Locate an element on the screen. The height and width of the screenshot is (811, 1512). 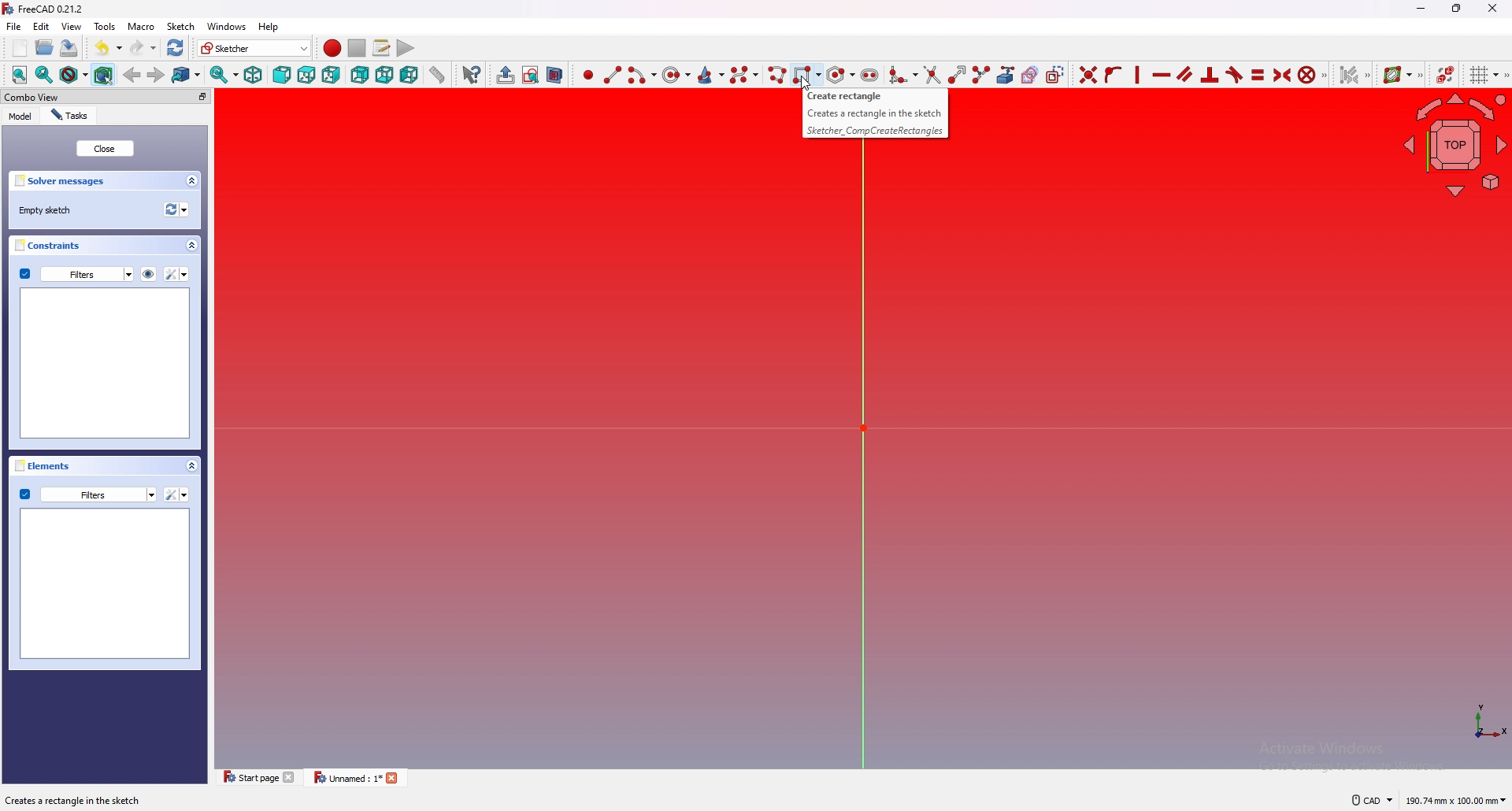
tab is located at coordinates (354, 776).